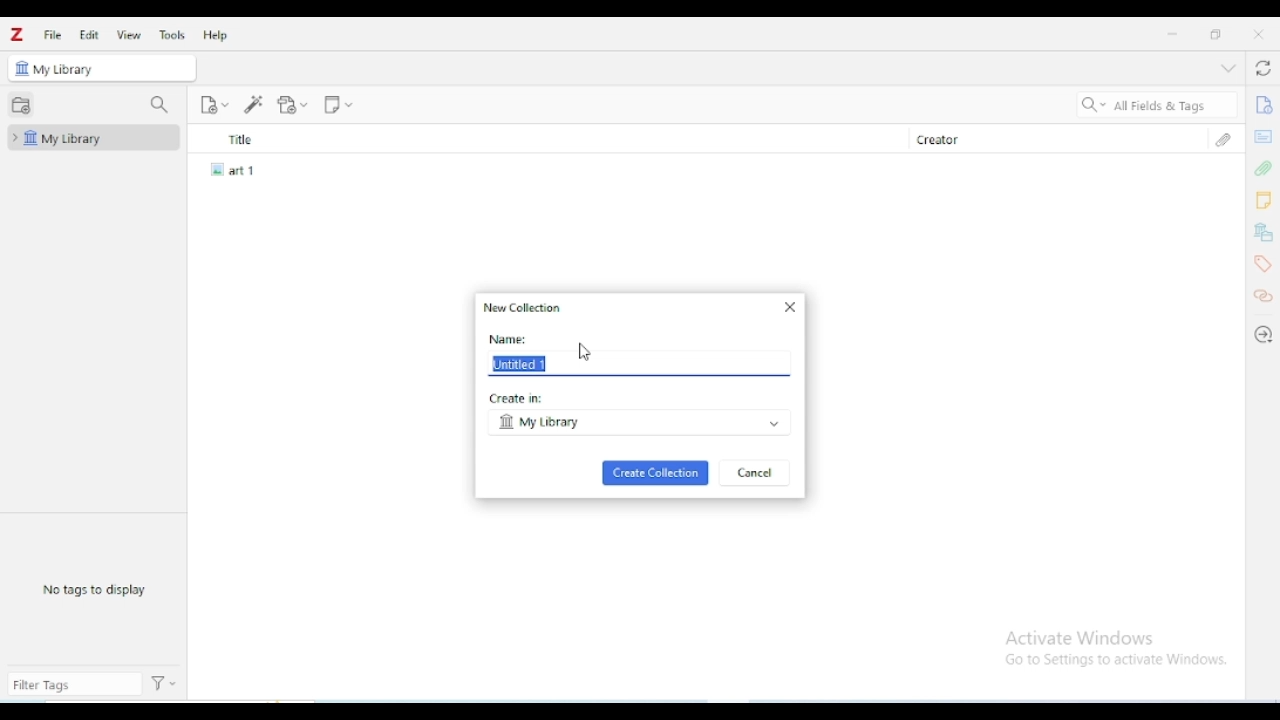 The height and width of the screenshot is (720, 1280). Describe the element at coordinates (160, 104) in the screenshot. I see `filter collections` at that location.